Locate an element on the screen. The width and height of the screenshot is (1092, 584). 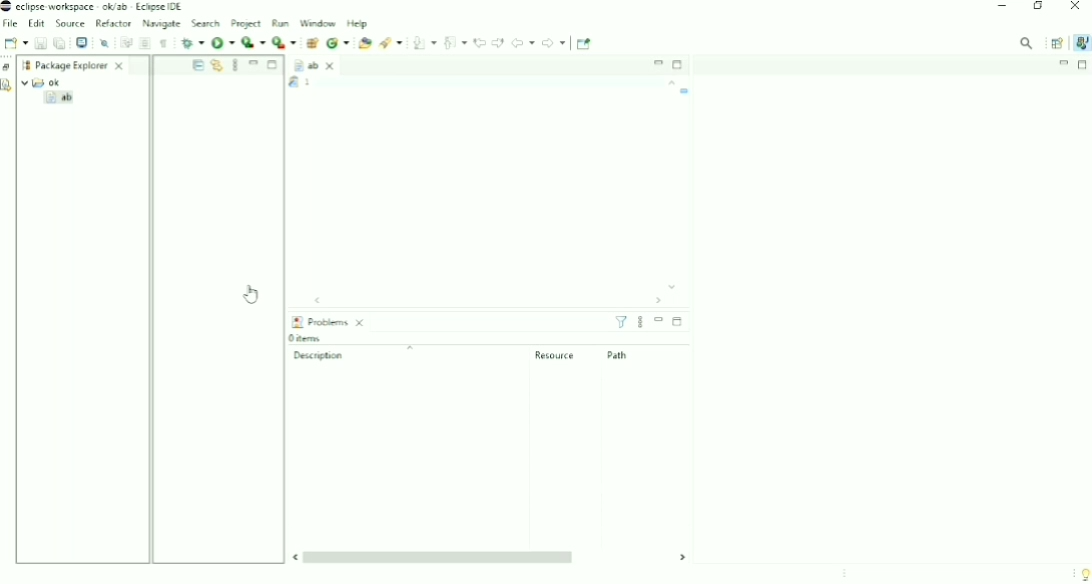
Search is located at coordinates (206, 22).